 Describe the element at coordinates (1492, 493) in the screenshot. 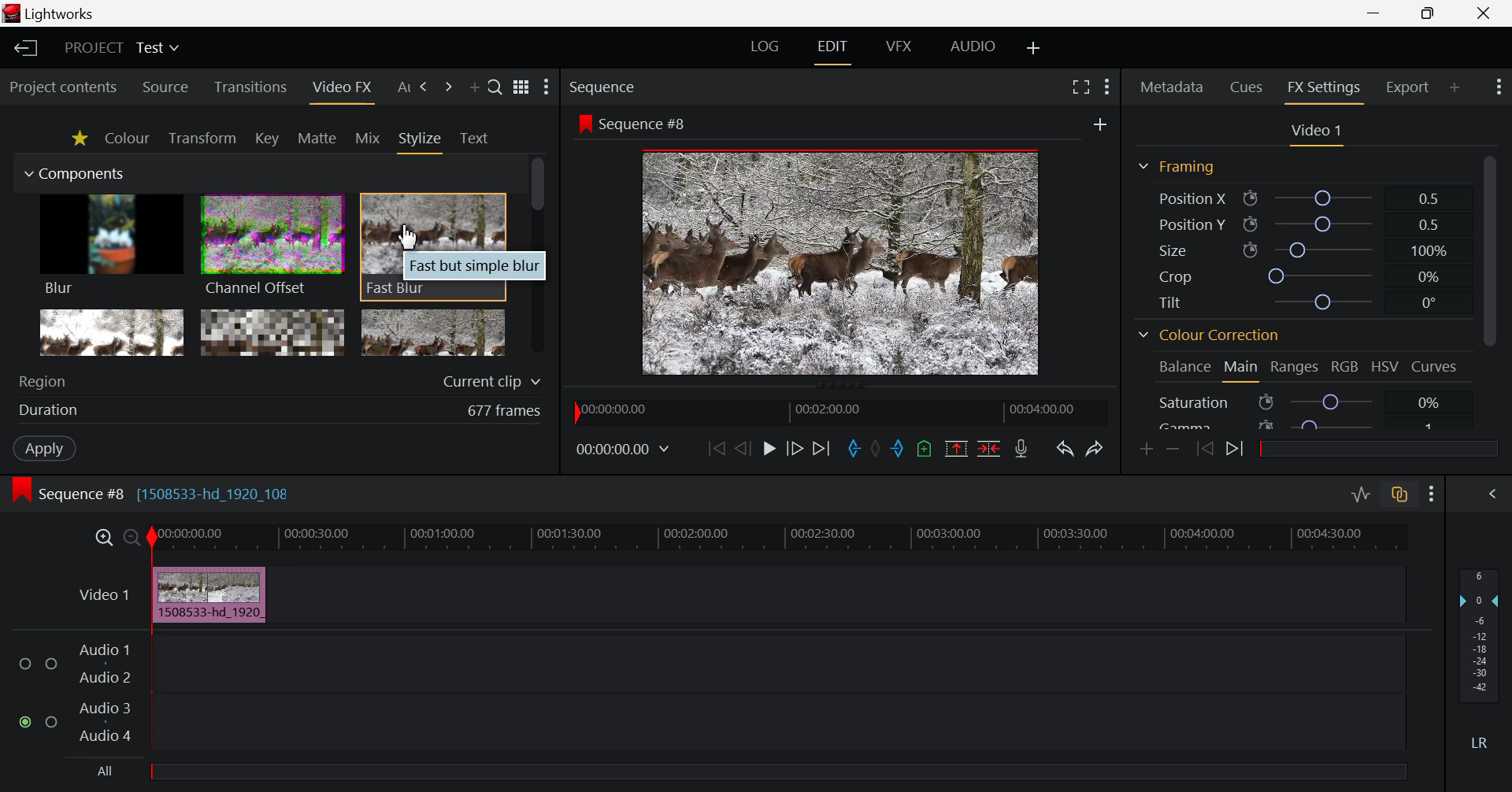

I see `Show Audio Mix` at that location.